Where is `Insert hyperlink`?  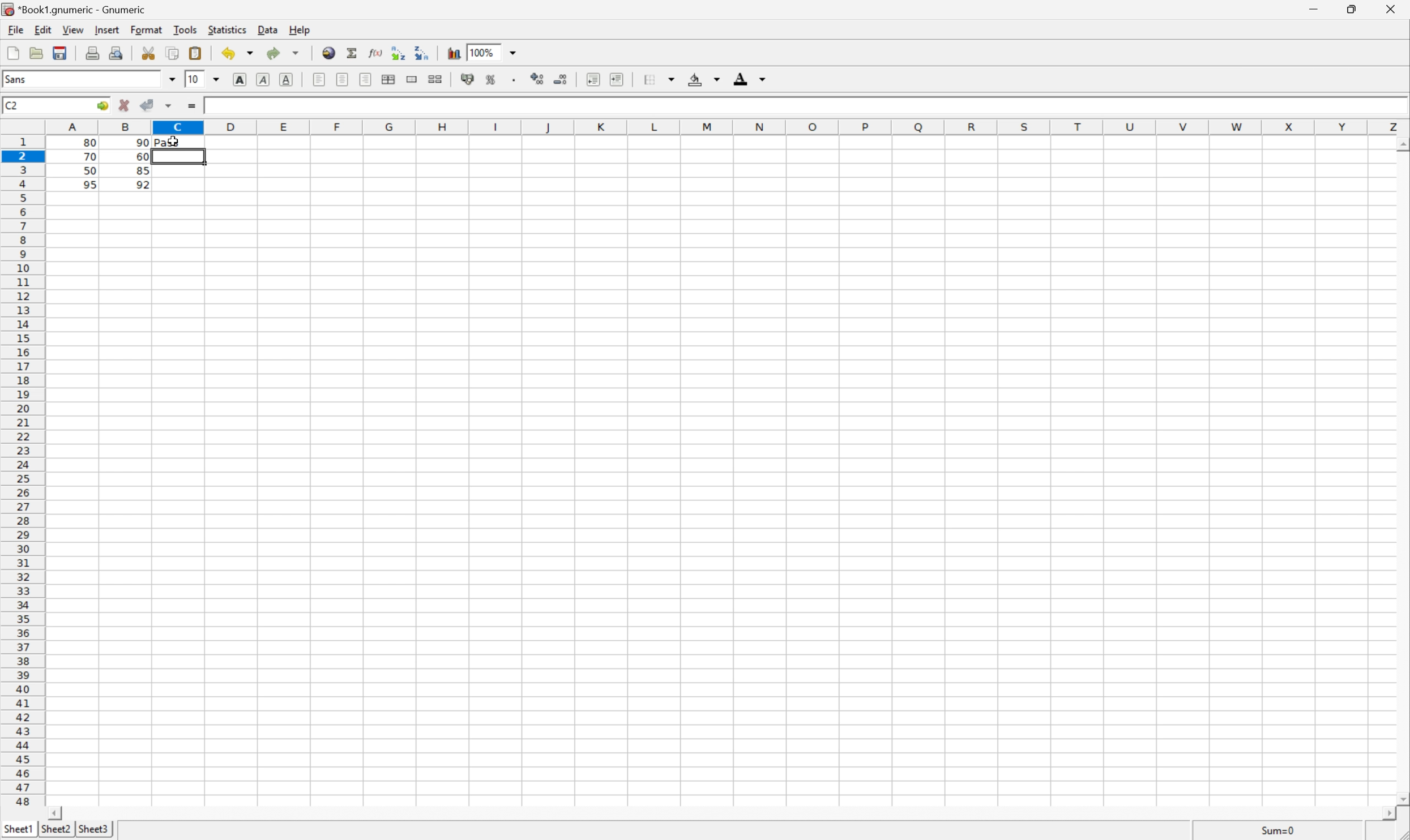 Insert hyperlink is located at coordinates (329, 51).